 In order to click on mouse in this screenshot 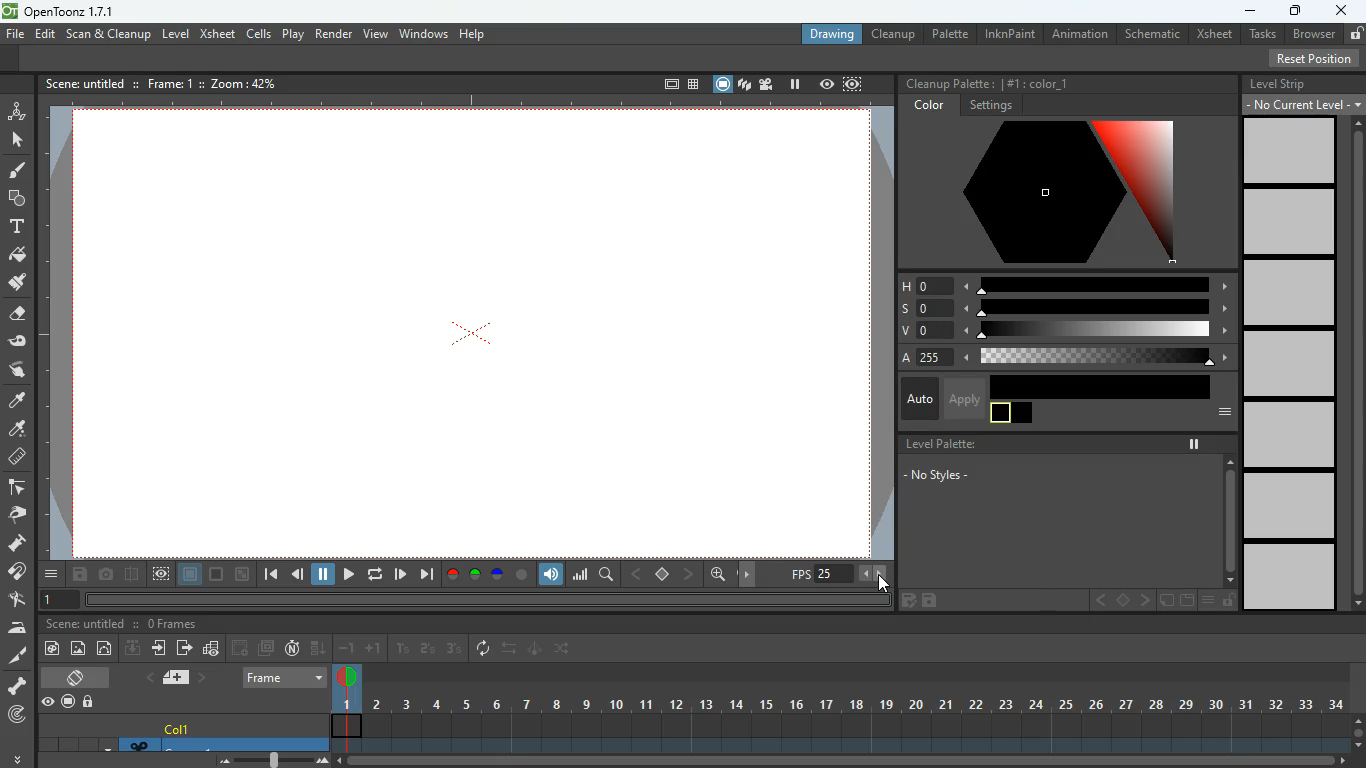, I will do `click(17, 140)`.